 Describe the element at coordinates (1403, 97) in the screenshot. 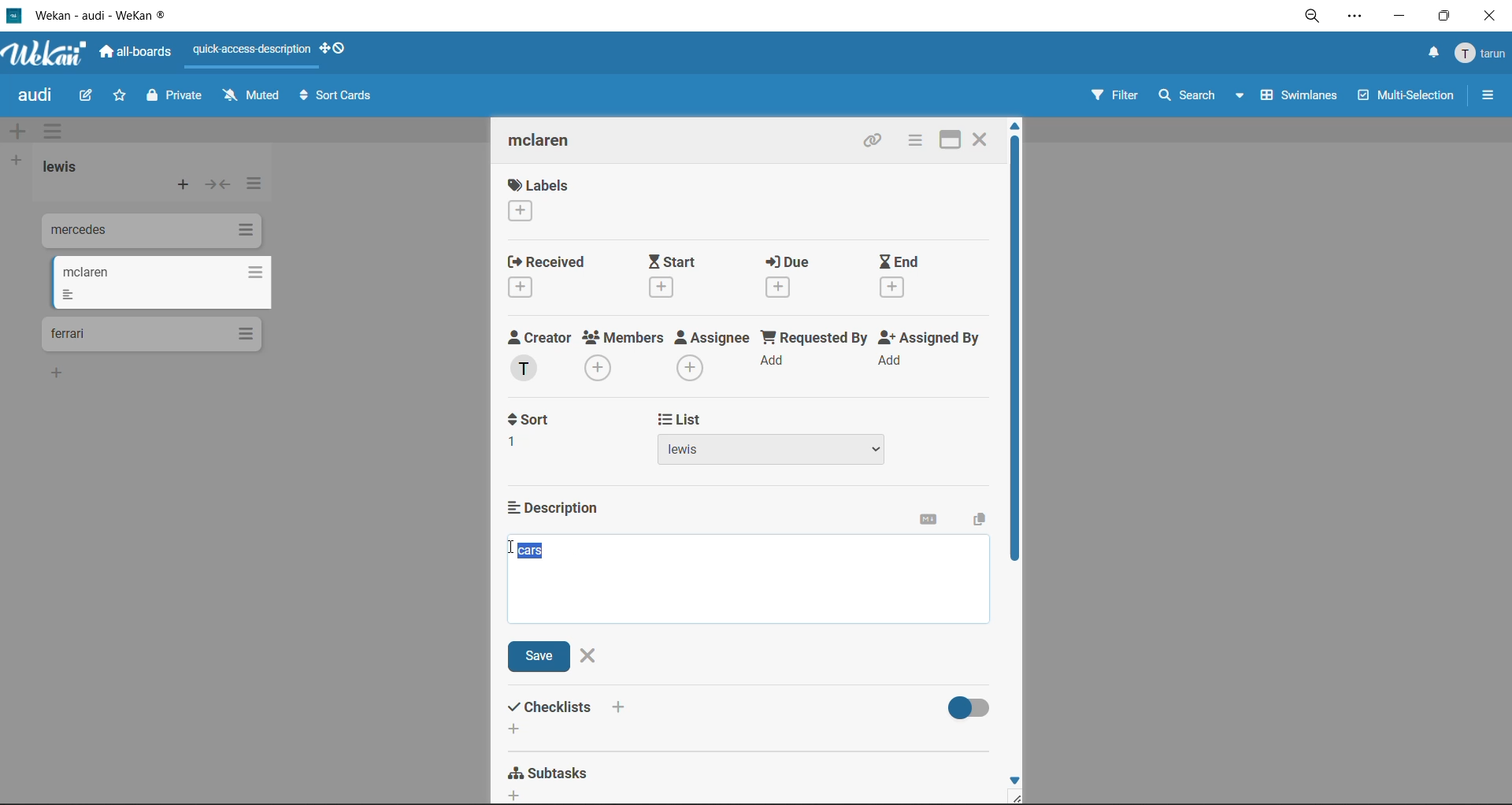

I see `multiselection` at that location.